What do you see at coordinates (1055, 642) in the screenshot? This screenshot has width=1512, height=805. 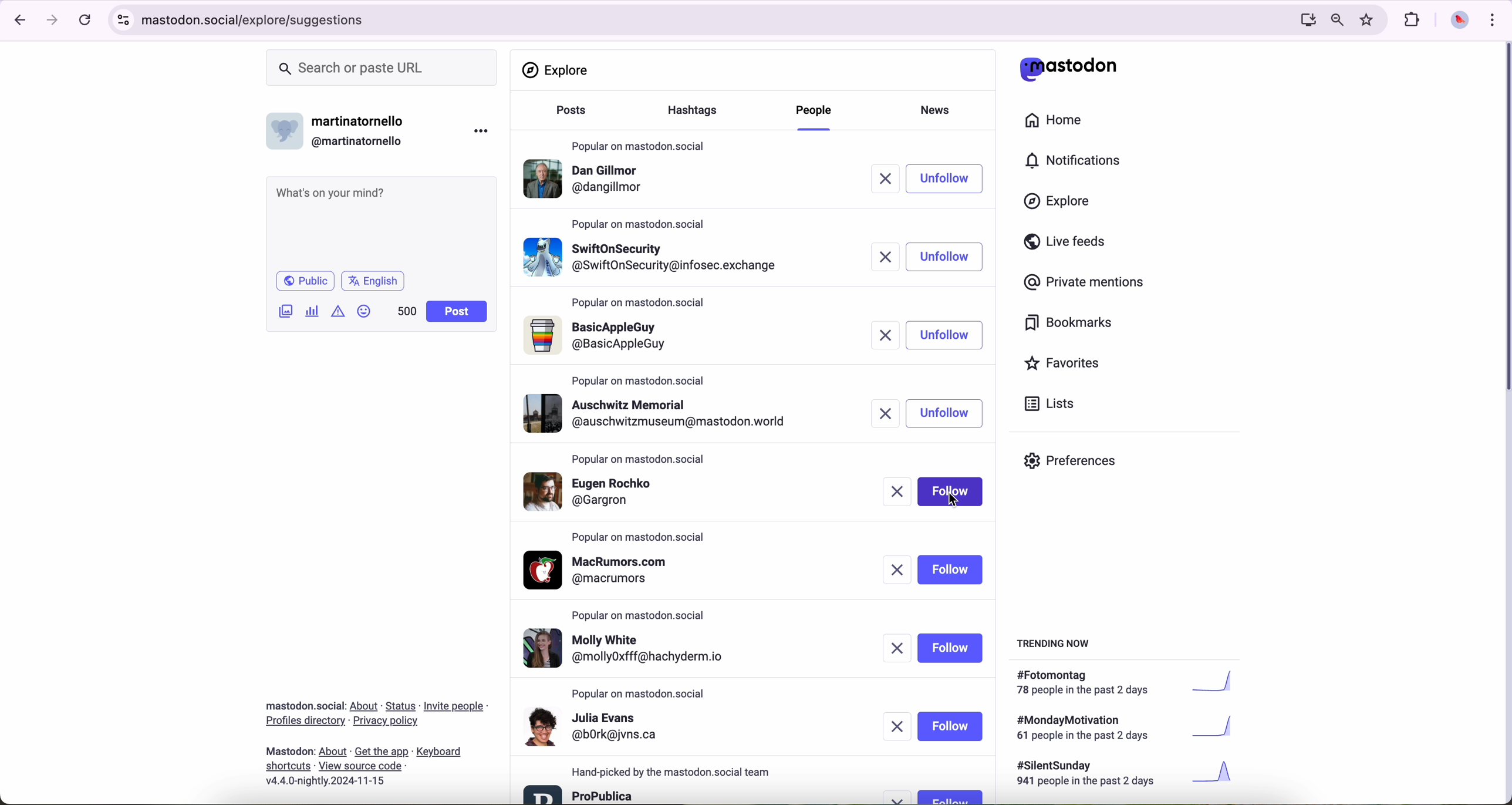 I see `trending now` at bounding box center [1055, 642].